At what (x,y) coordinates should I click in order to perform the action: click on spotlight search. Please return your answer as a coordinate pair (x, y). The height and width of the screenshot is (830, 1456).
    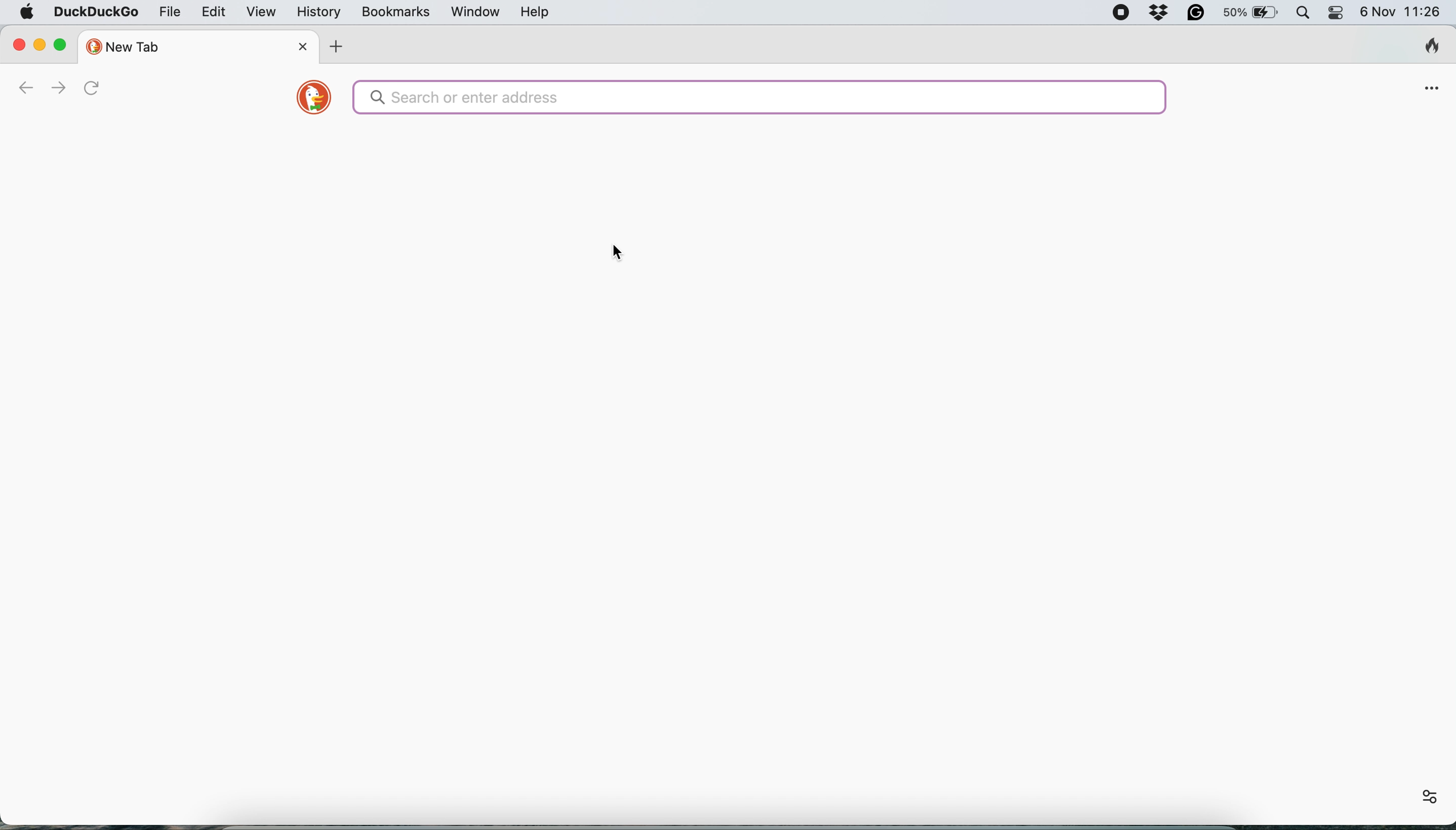
    Looking at the image, I should click on (1301, 13).